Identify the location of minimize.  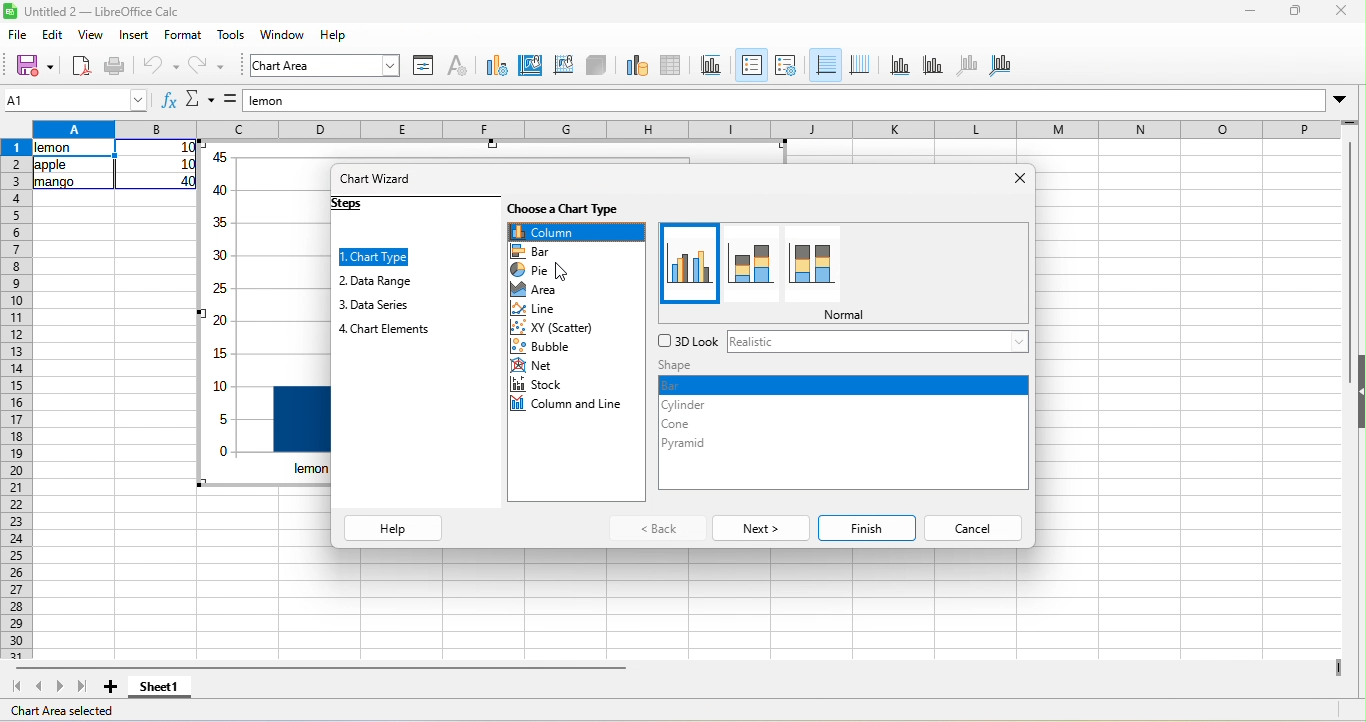
(1247, 12).